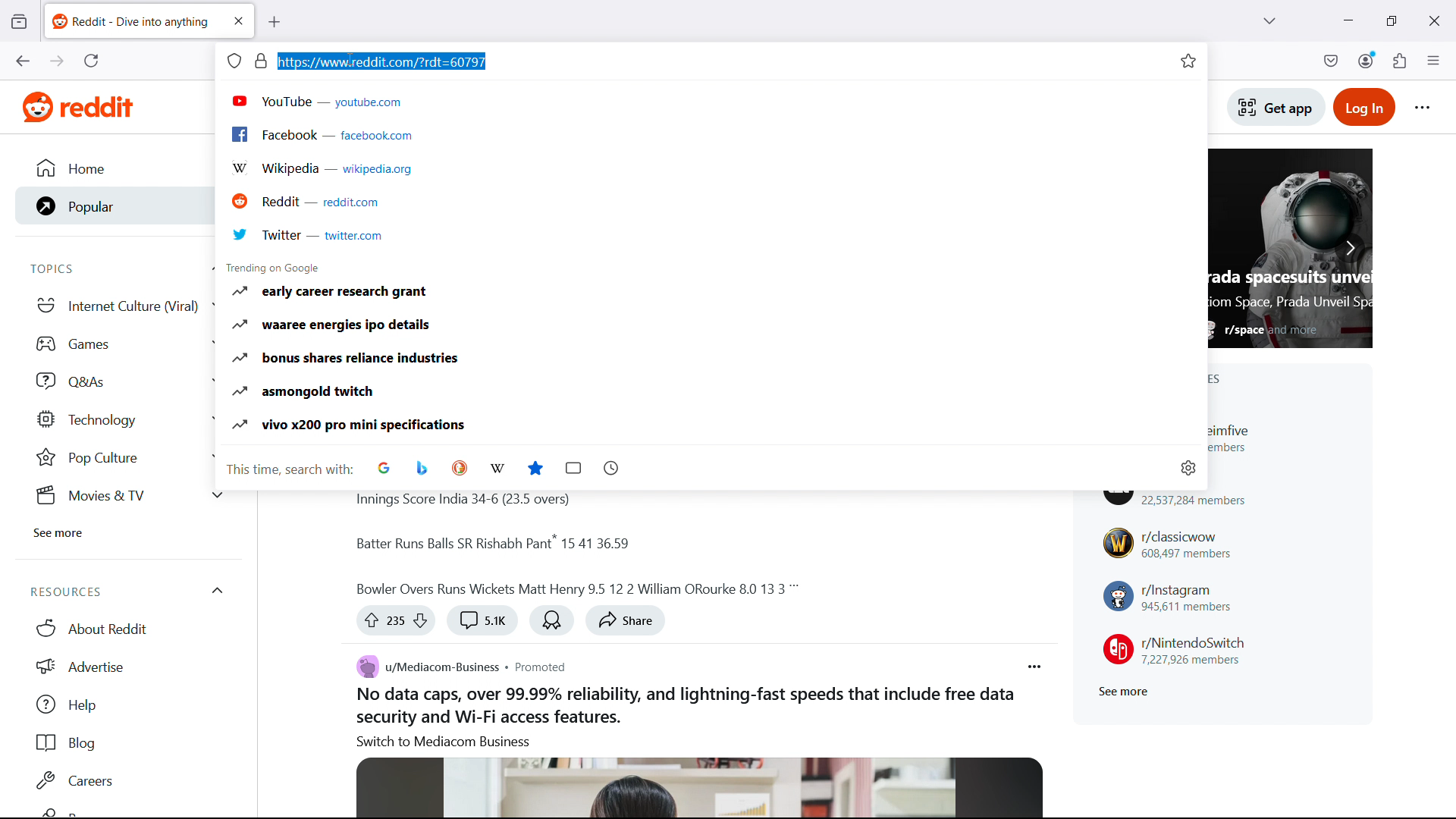 Image resolution: width=1456 pixels, height=819 pixels. What do you see at coordinates (576, 469) in the screenshot?
I see `tabs` at bounding box center [576, 469].